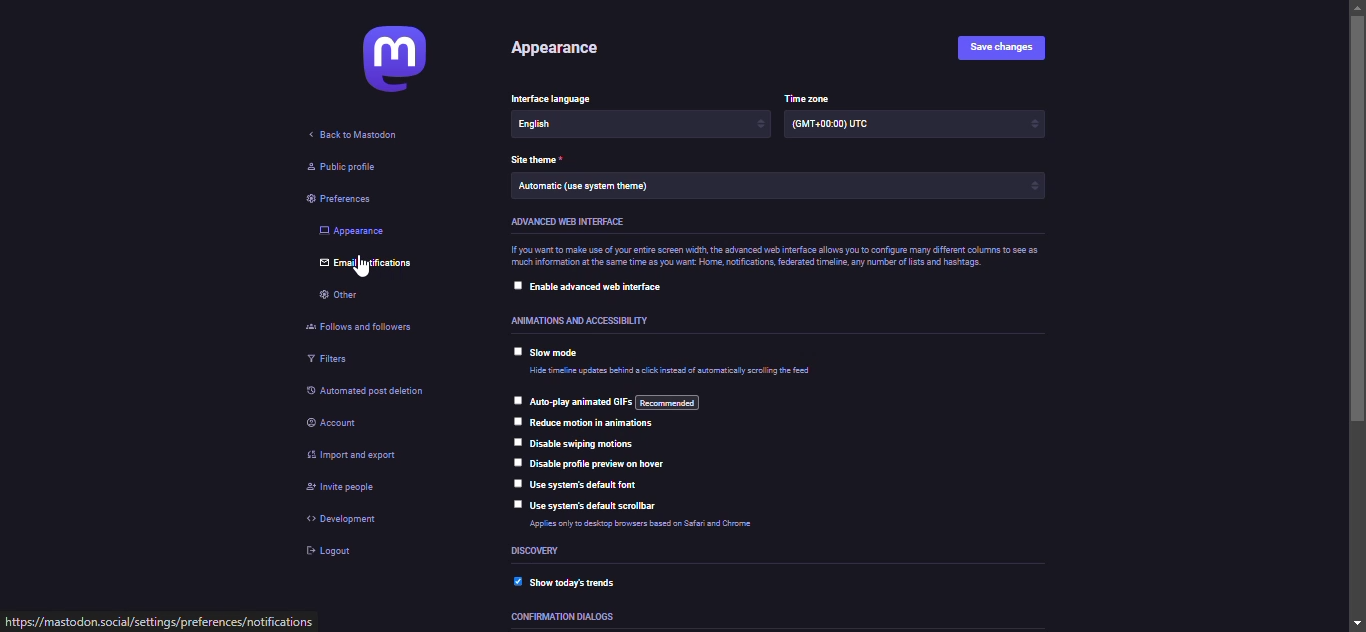  What do you see at coordinates (778, 186) in the screenshot?
I see `theme` at bounding box center [778, 186].